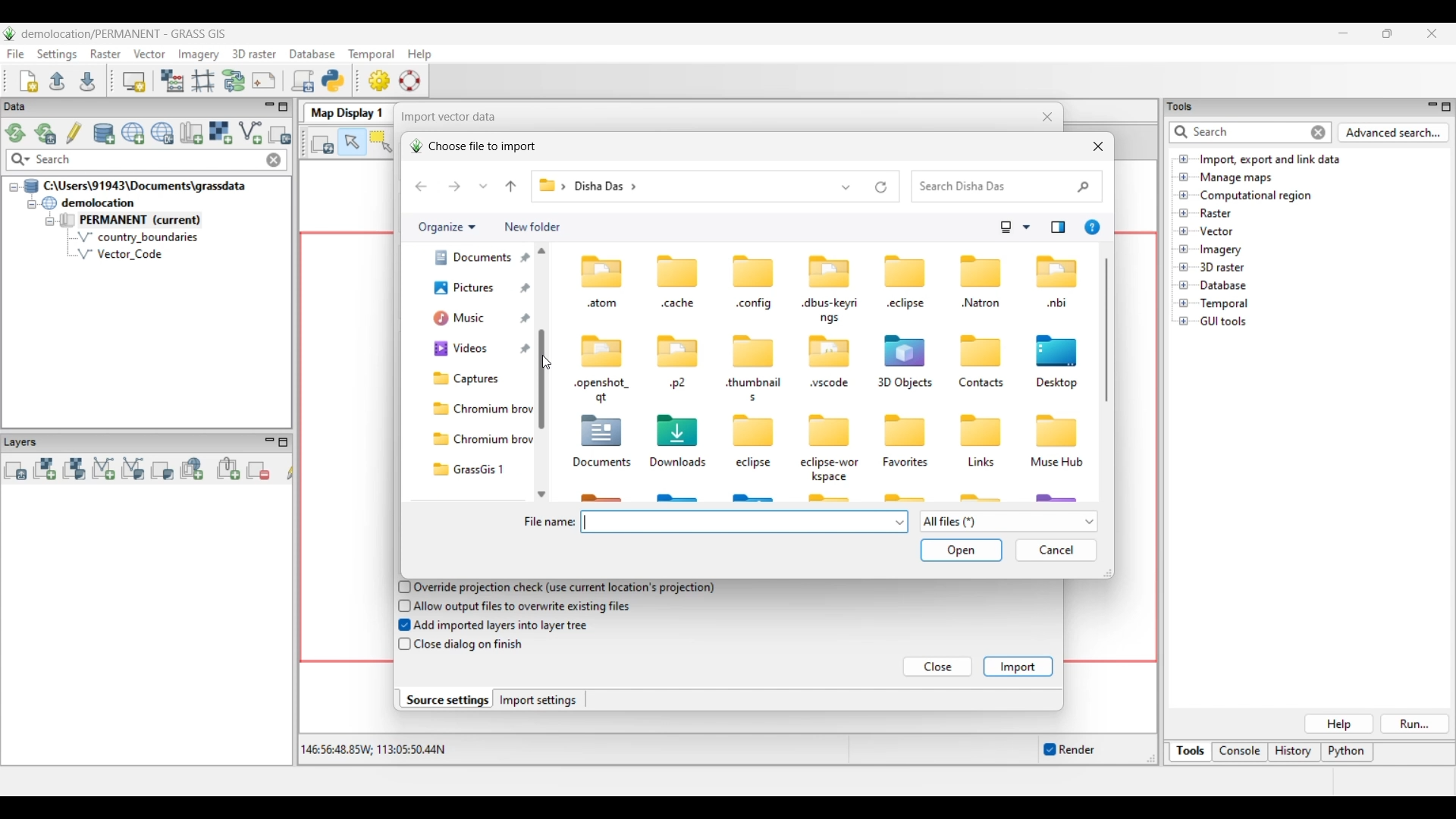  What do you see at coordinates (1184, 267) in the screenshot?
I see `Click to open files under 3D Raster` at bounding box center [1184, 267].